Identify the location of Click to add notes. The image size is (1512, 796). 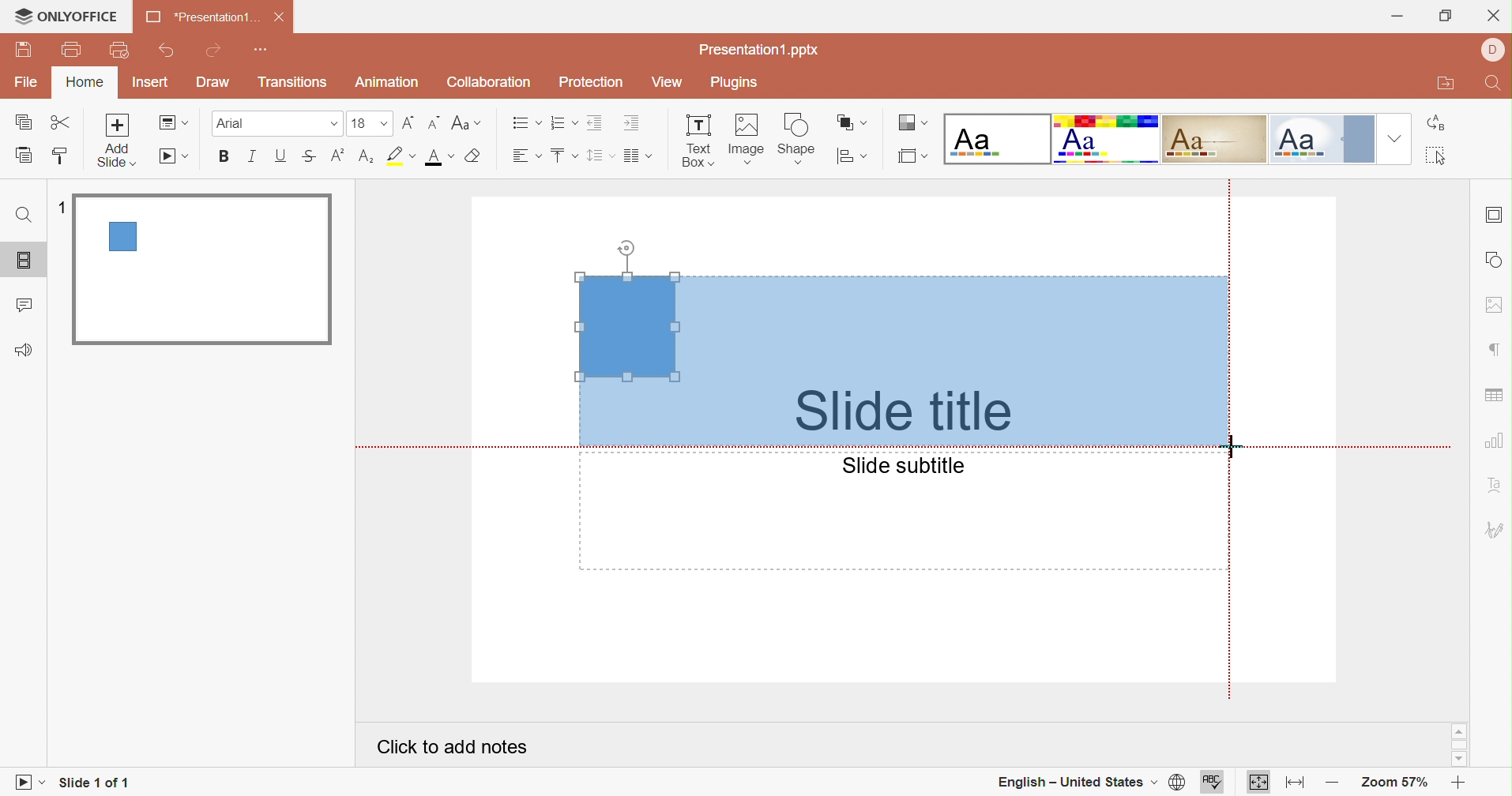
(452, 747).